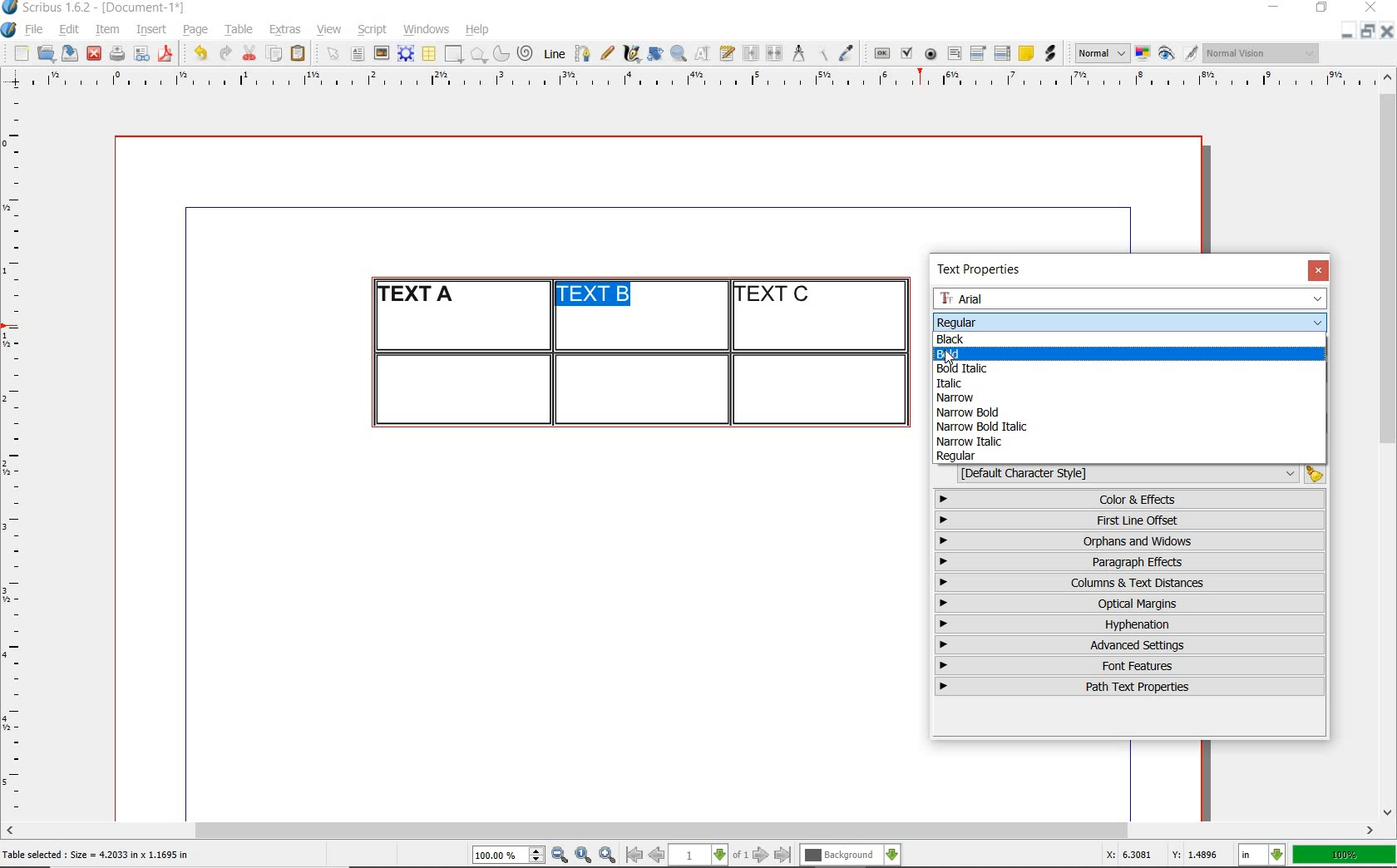 This screenshot has height=868, width=1397. I want to click on narrow bold italic, so click(980, 426).